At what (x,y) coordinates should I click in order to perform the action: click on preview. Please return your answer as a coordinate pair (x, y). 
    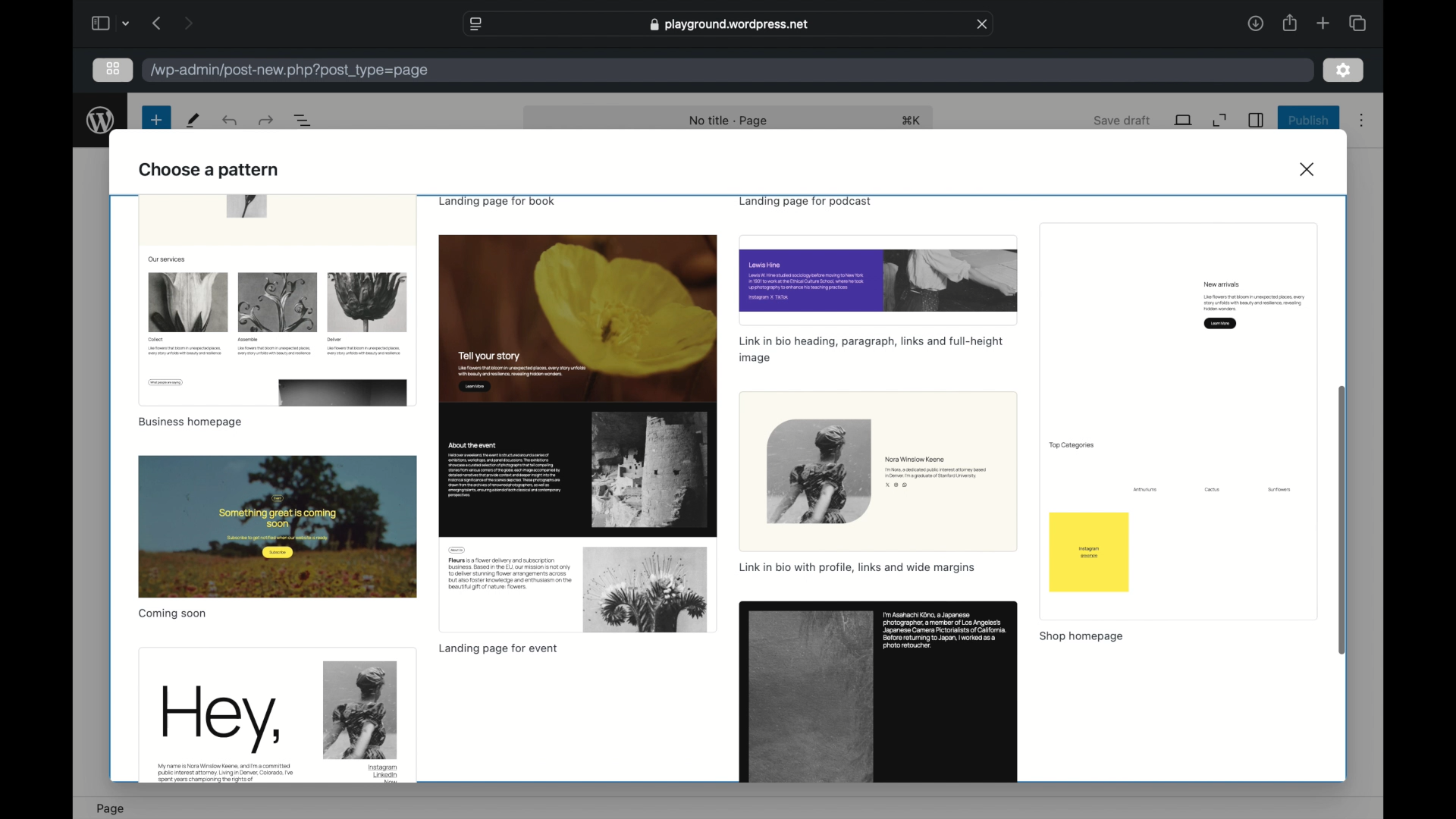
    Looking at the image, I should click on (878, 280).